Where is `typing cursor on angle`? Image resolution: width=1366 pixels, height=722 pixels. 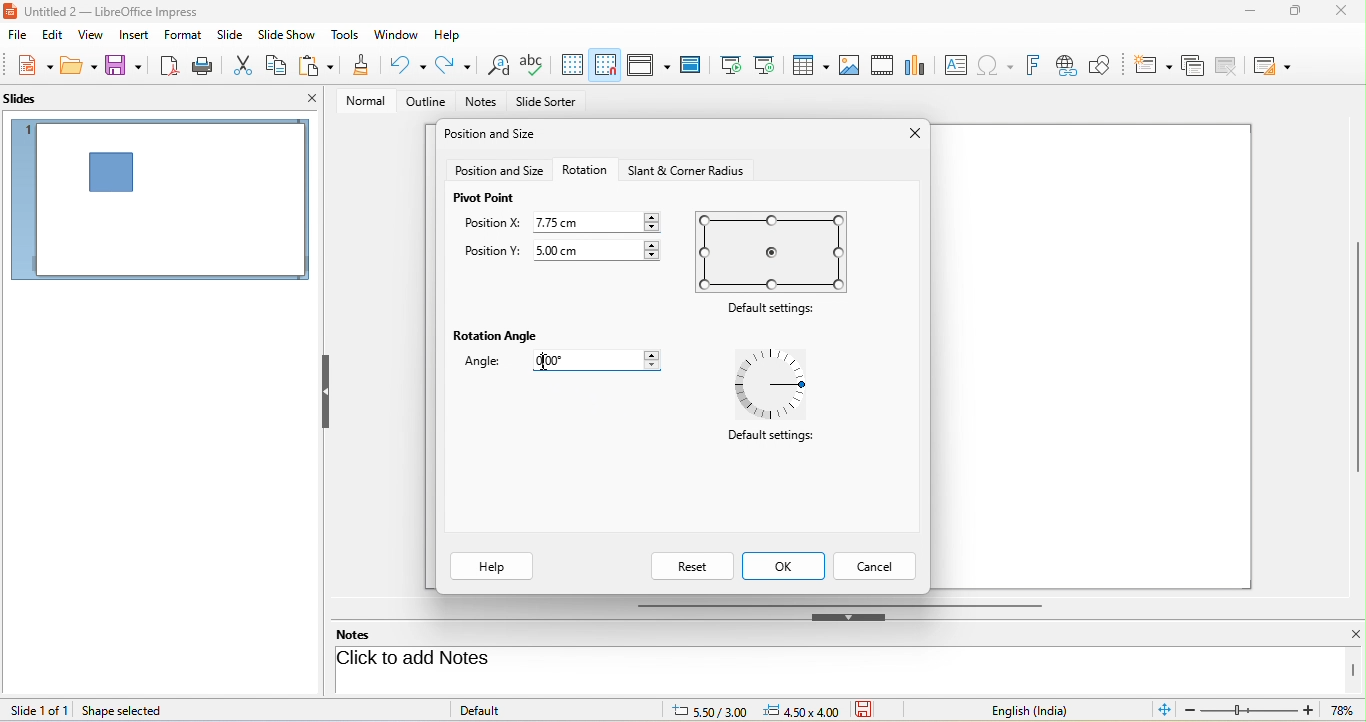 typing cursor on angle is located at coordinates (545, 363).